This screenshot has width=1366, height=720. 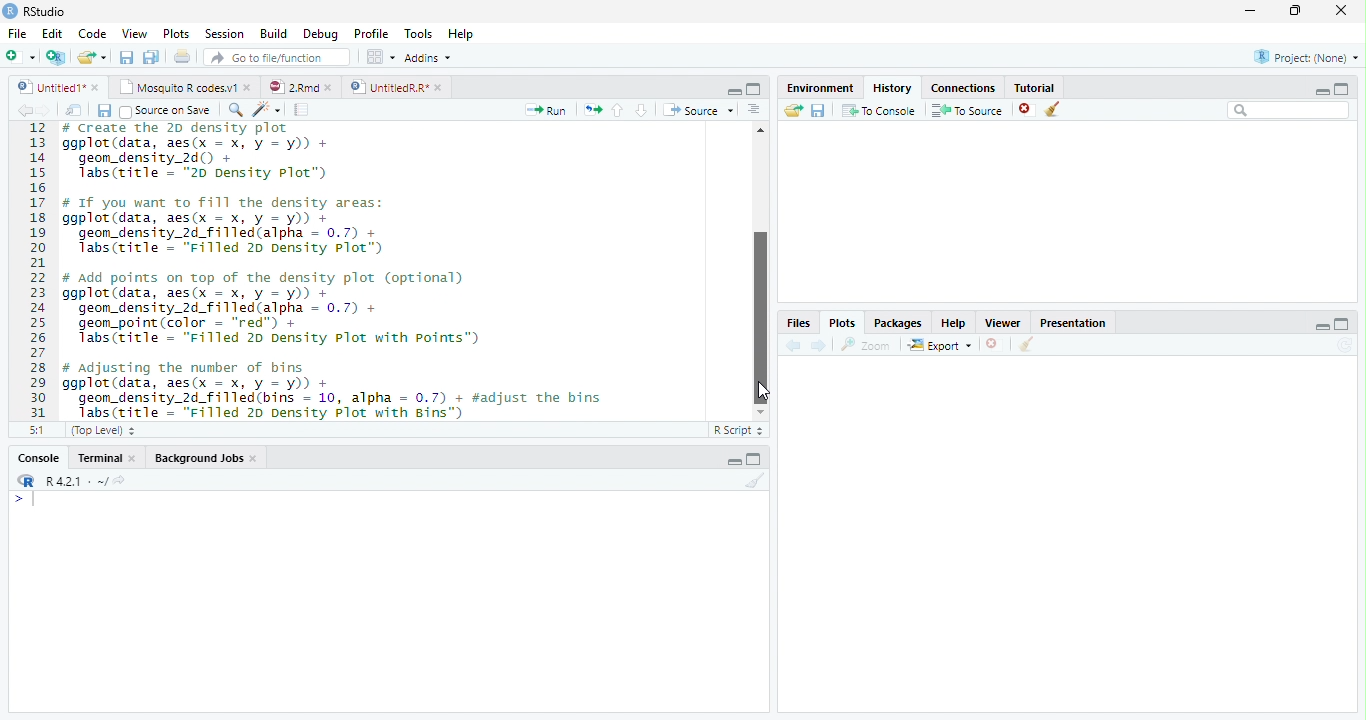 I want to click on Search, so click(x=1289, y=110).